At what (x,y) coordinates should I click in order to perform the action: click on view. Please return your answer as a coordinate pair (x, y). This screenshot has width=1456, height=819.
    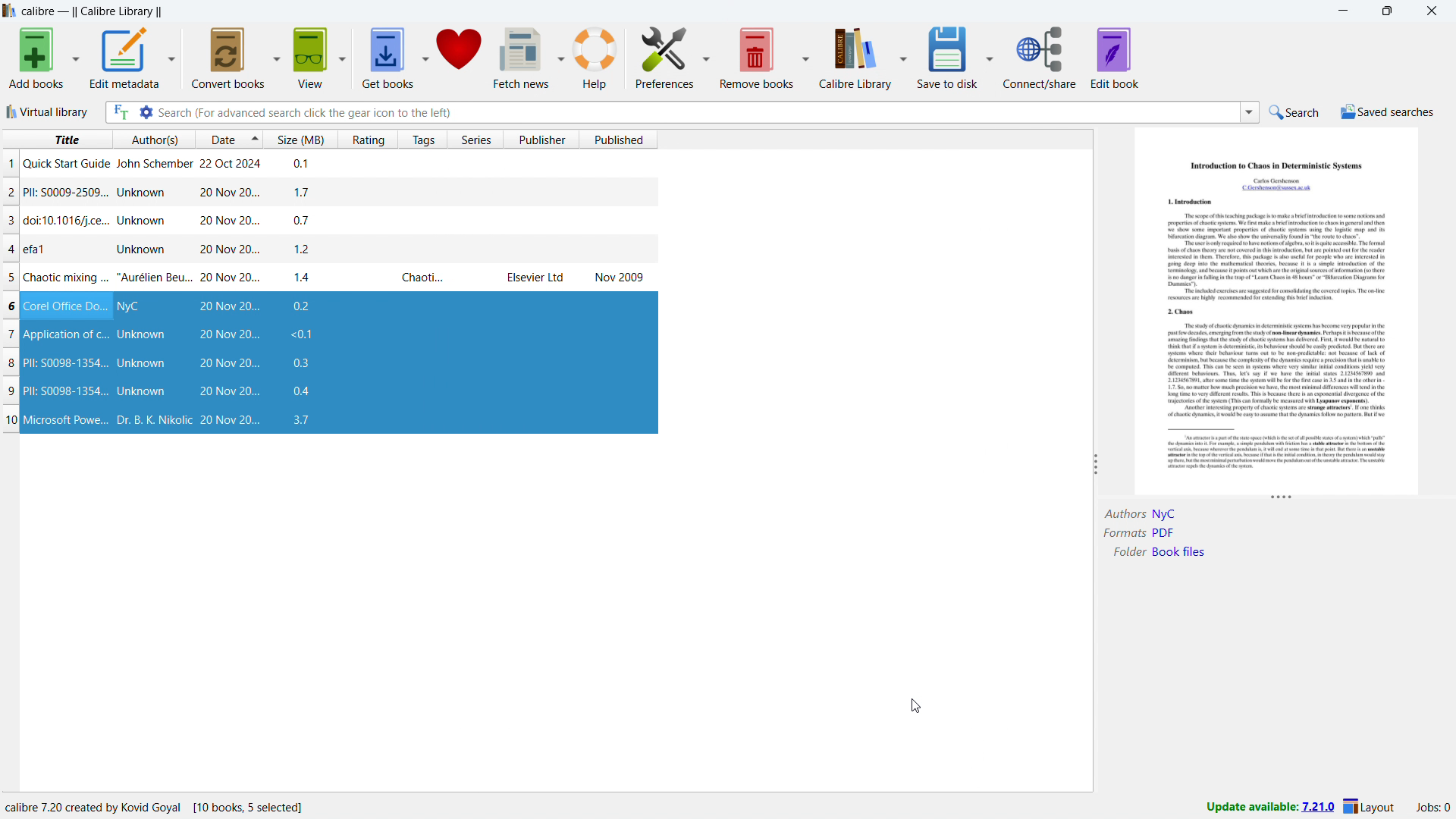
    Looking at the image, I should click on (312, 58).